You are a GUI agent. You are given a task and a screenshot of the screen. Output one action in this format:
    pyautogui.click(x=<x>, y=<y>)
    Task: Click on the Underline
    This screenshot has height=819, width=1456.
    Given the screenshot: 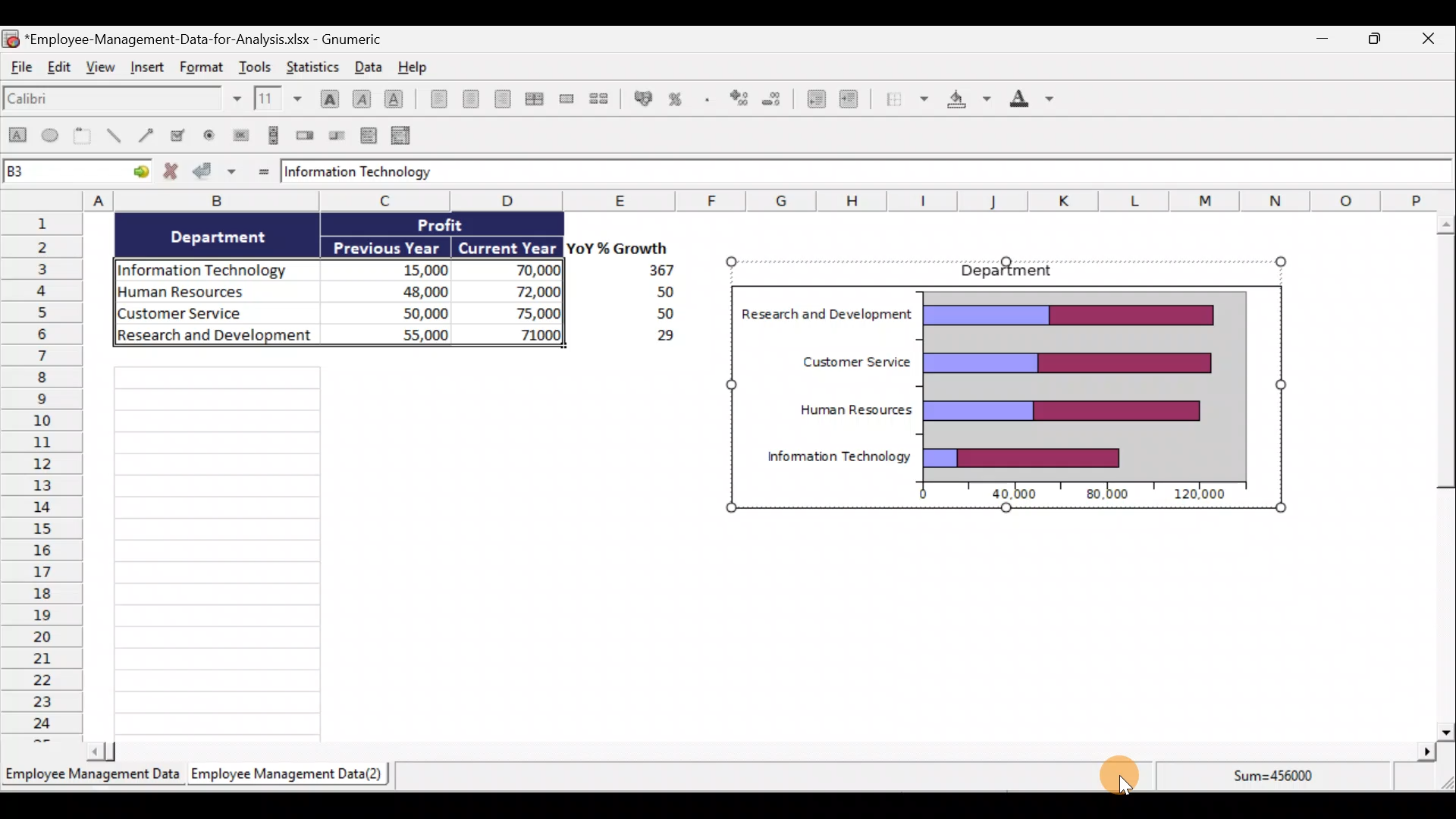 What is the action you would take?
    pyautogui.click(x=394, y=96)
    